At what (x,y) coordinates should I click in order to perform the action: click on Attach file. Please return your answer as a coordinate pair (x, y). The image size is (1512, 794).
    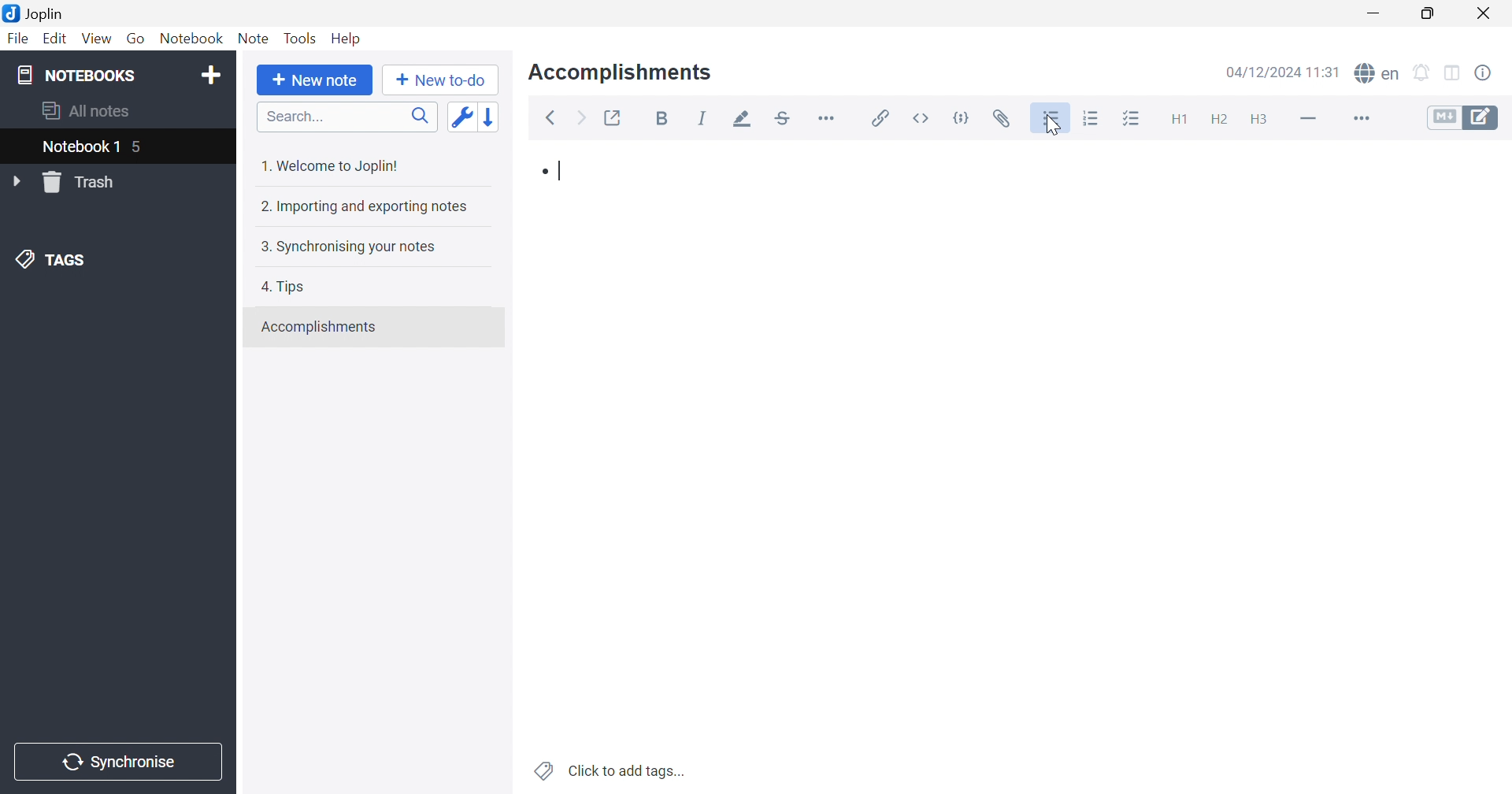
    Looking at the image, I should click on (1004, 118).